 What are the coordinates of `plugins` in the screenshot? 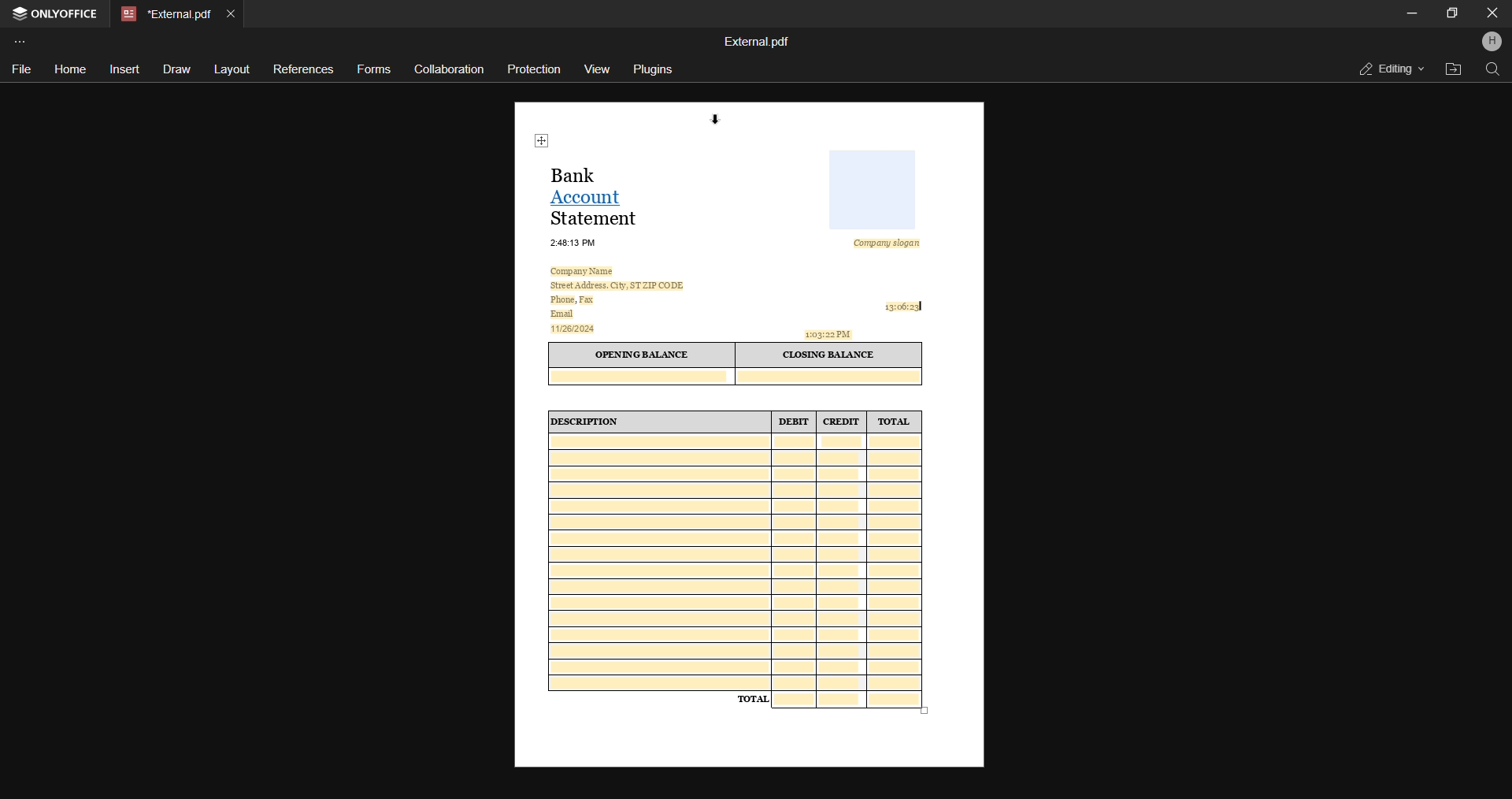 It's located at (655, 69).